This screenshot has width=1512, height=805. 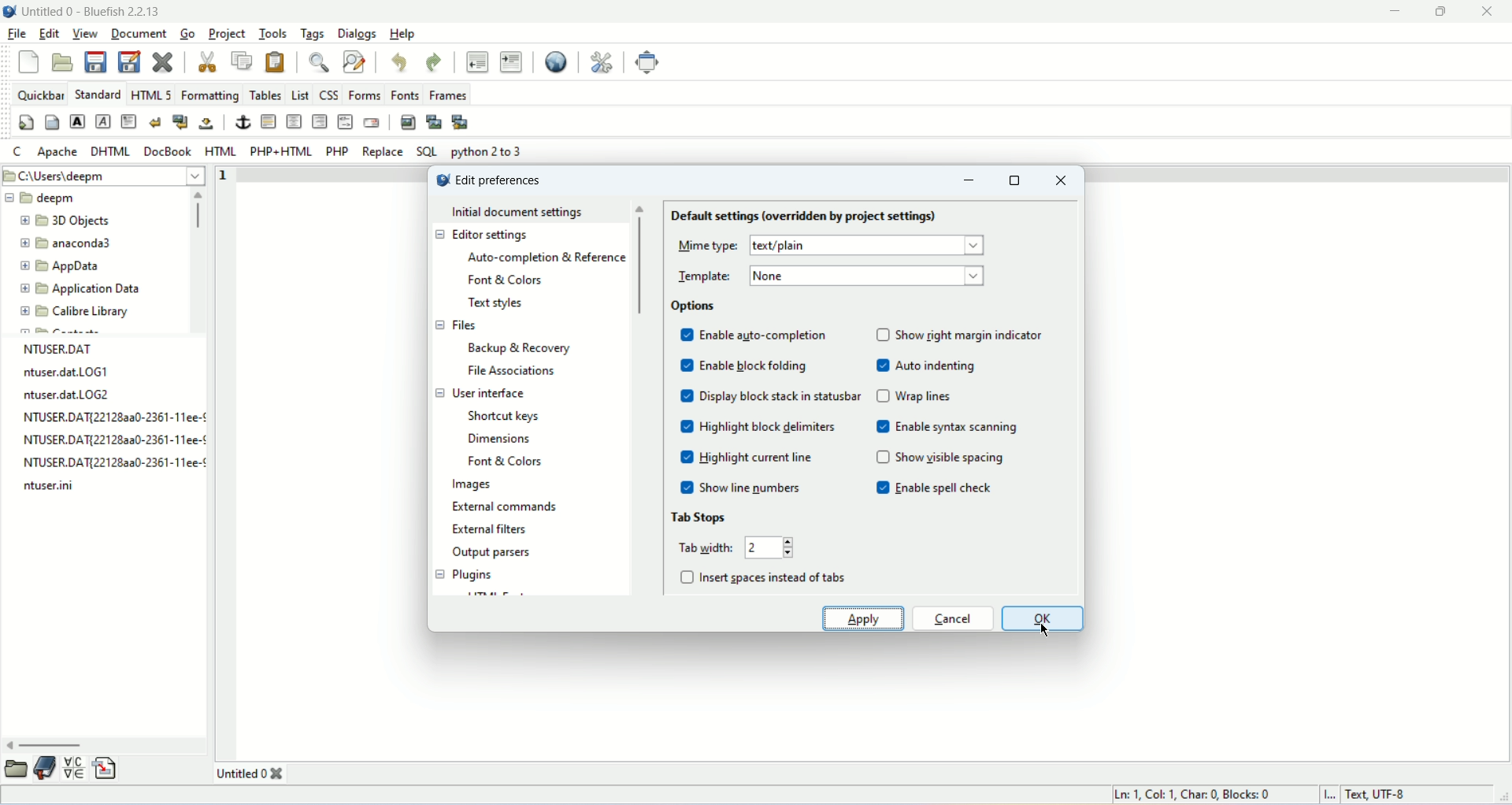 What do you see at coordinates (479, 392) in the screenshot?
I see `user interface` at bounding box center [479, 392].